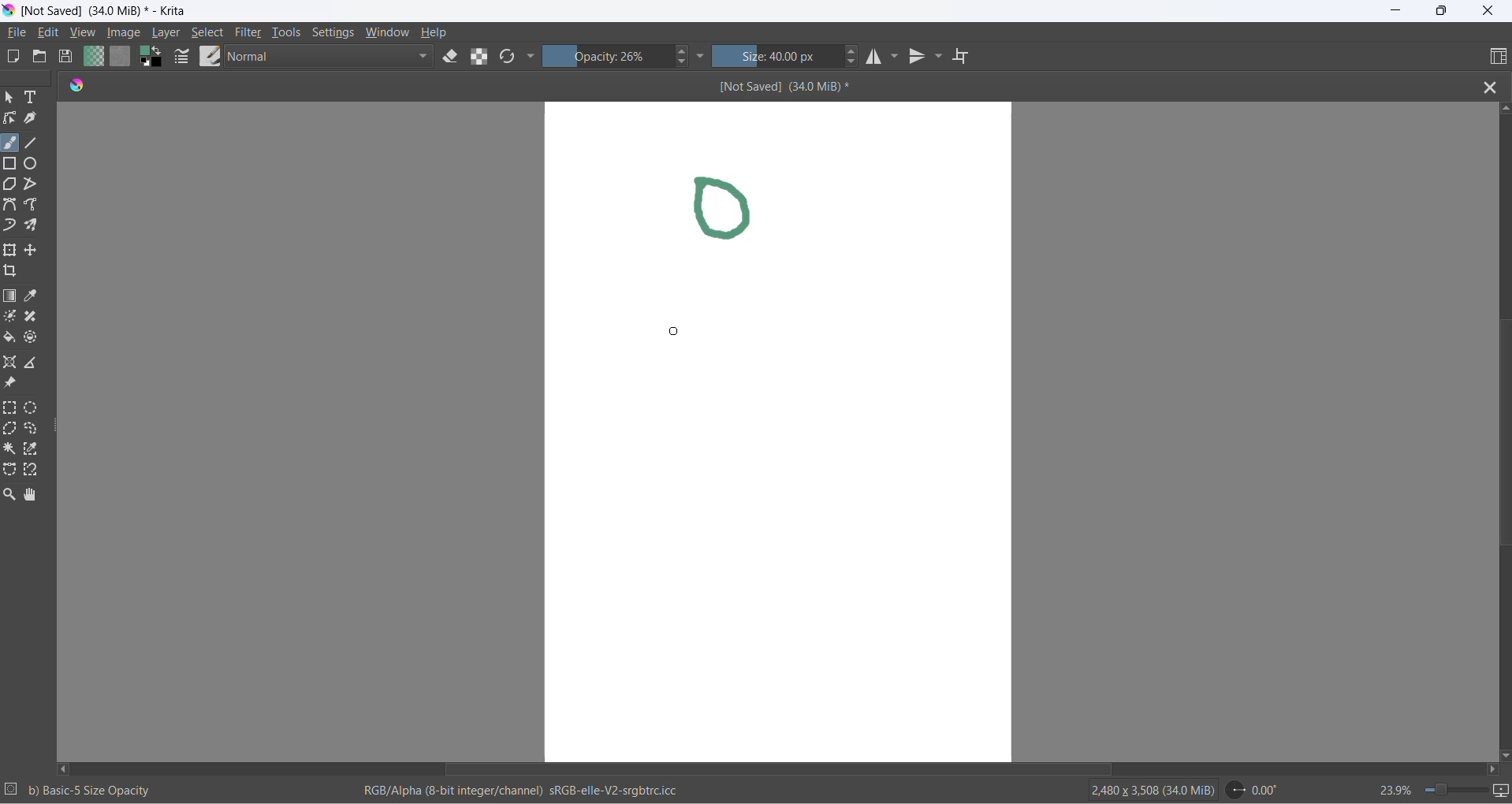 Image resolution: width=1512 pixels, height=804 pixels. Describe the element at coordinates (968, 56) in the screenshot. I see `wrap around mode` at that location.